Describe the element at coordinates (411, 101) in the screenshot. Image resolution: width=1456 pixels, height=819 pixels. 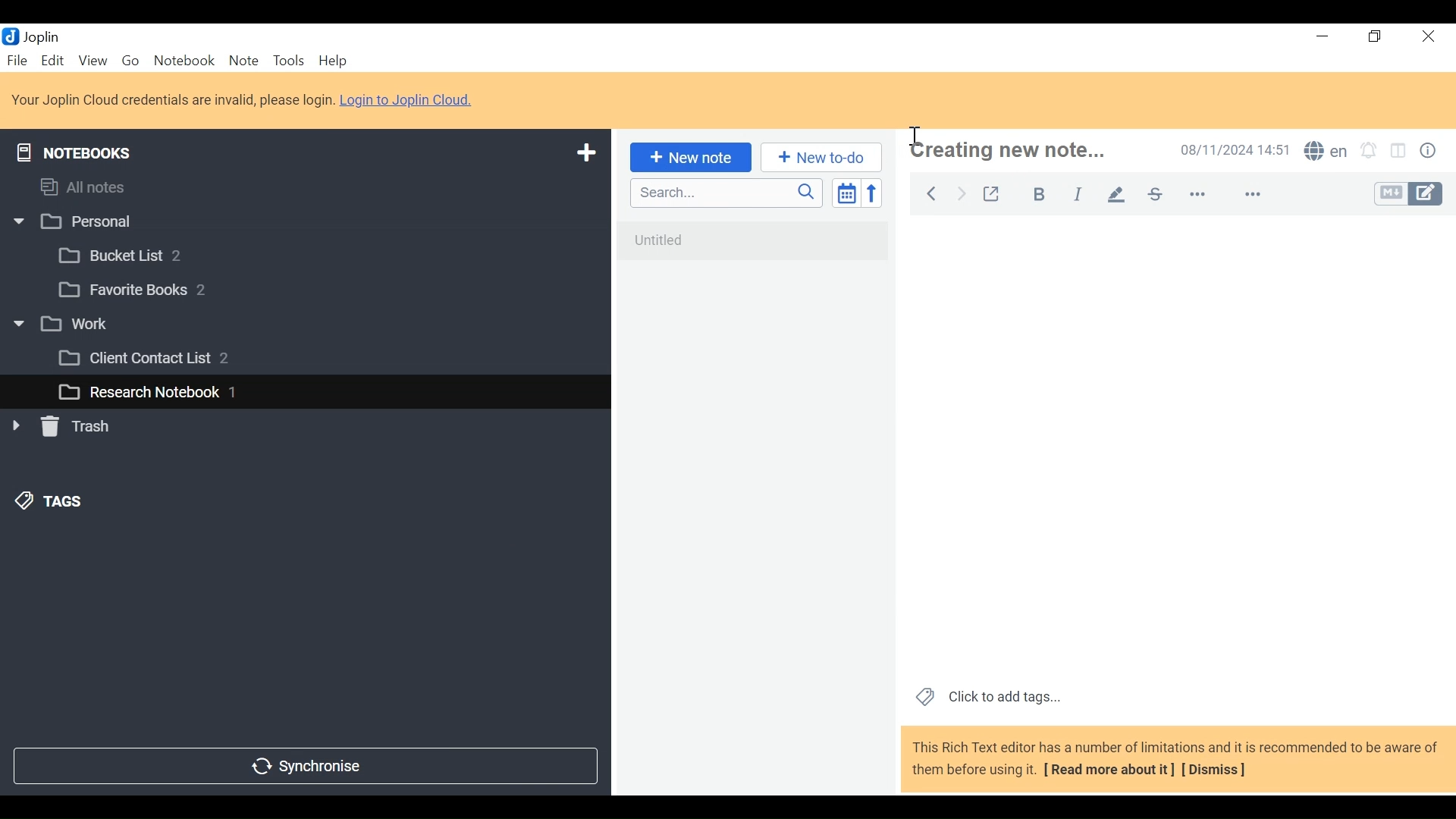
I see `Login to Joplin Cloud` at that location.